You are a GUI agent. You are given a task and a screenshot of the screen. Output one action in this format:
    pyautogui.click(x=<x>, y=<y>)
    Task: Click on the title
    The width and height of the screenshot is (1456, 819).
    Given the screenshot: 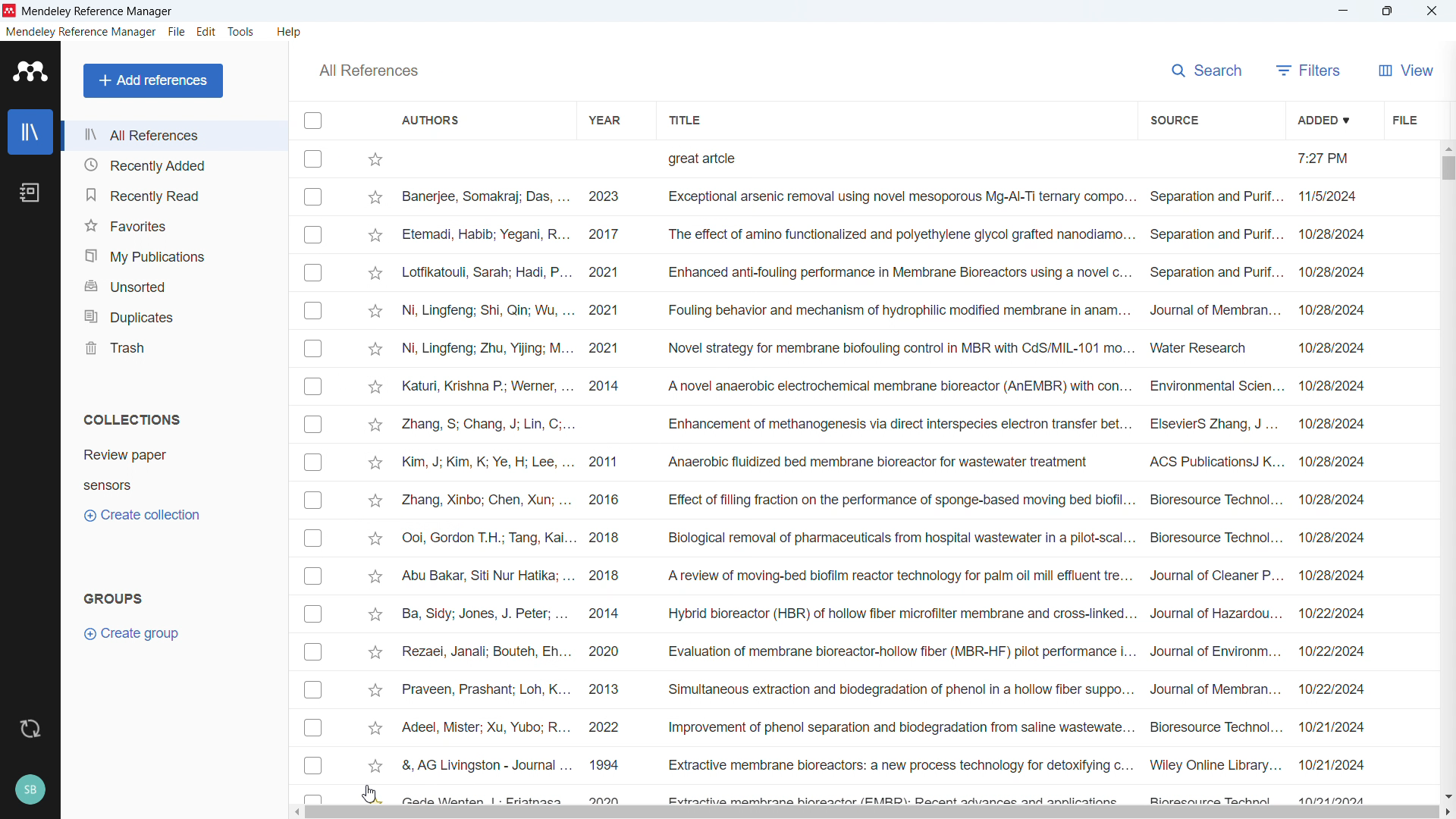 What is the action you would take?
    pyautogui.click(x=99, y=12)
    